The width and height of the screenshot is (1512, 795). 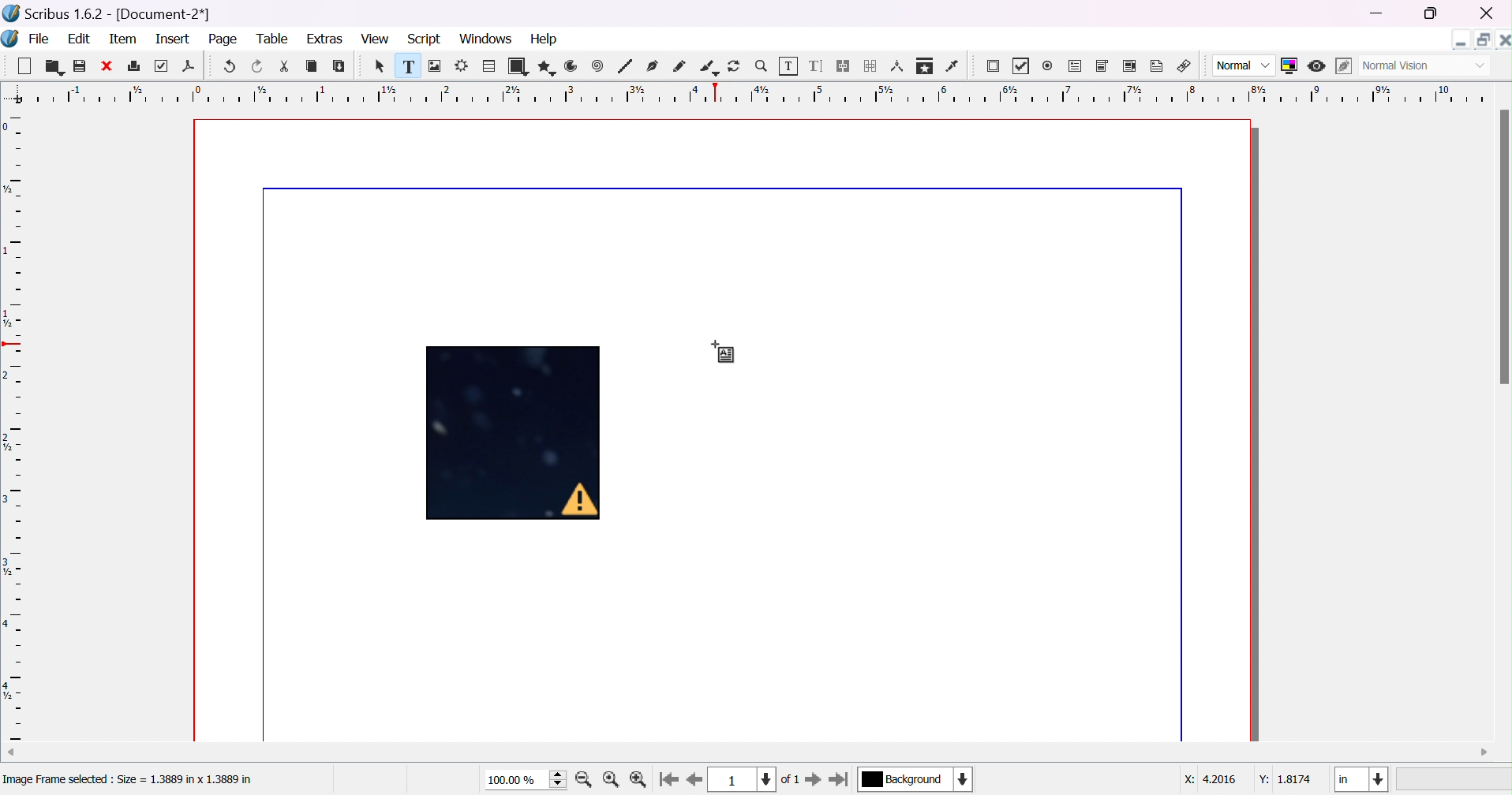 I want to click on normal vision, so click(x=1424, y=66).